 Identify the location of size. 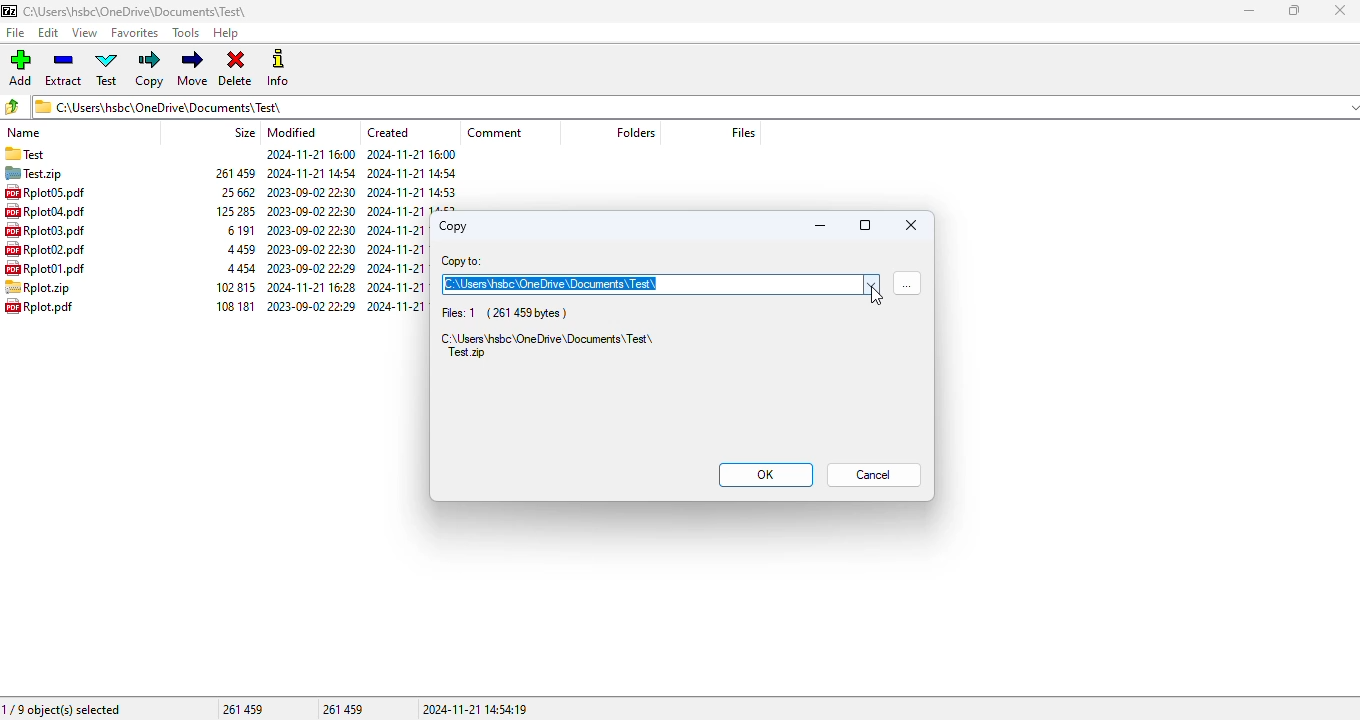
(232, 173).